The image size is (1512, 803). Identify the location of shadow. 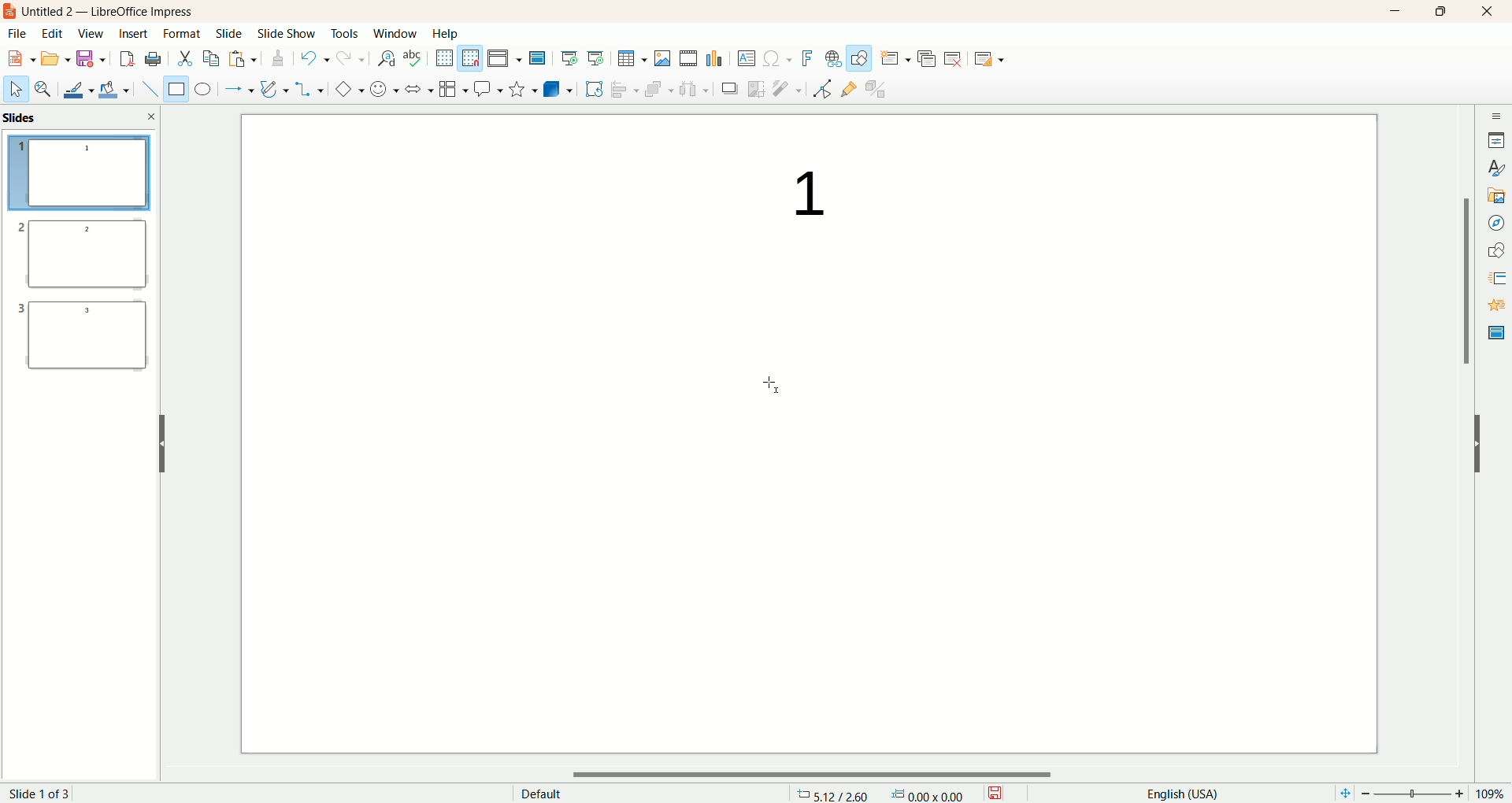
(732, 90).